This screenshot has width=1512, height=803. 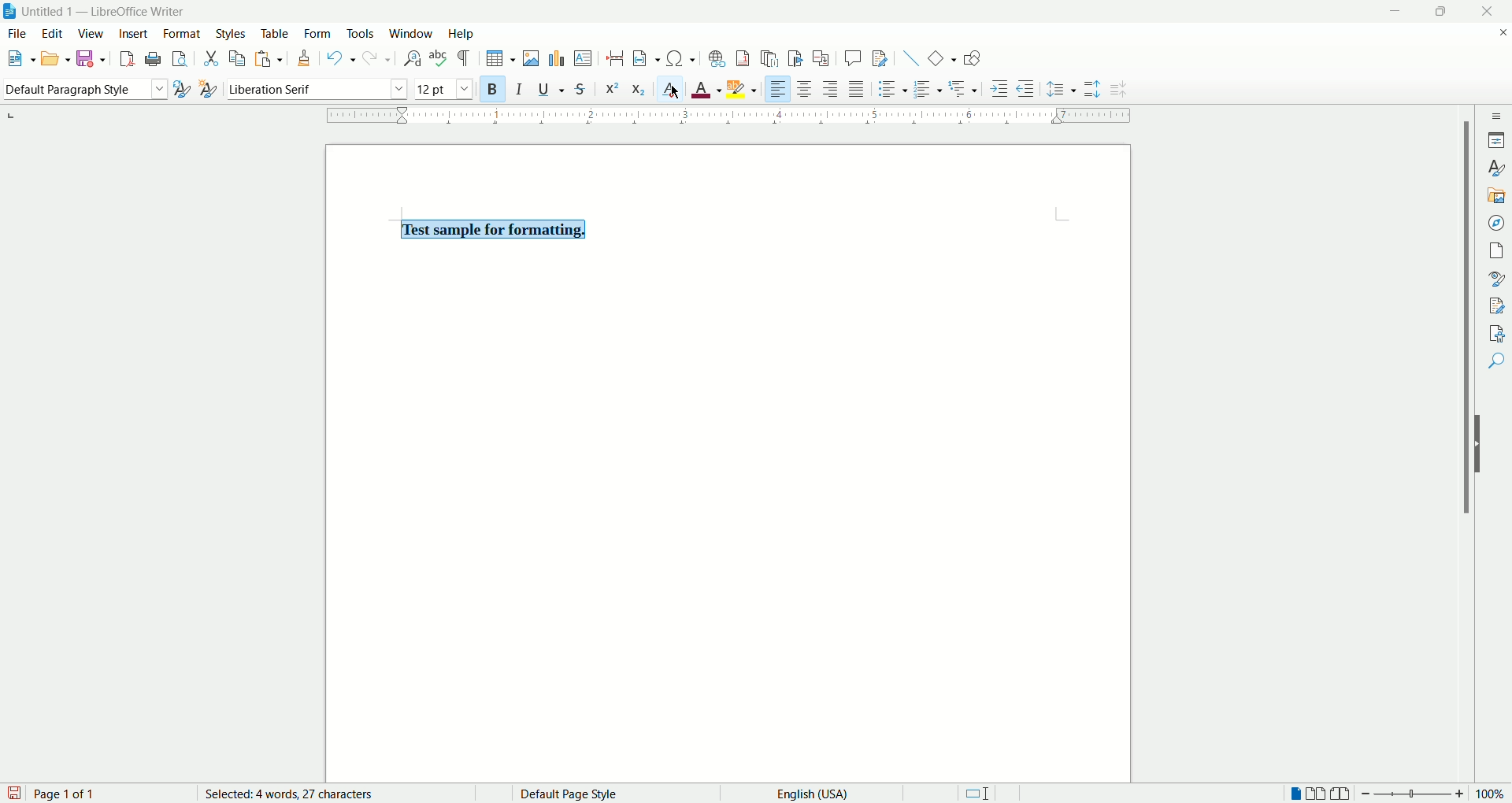 I want to click on insert footnote, so click(x=743, y=58).